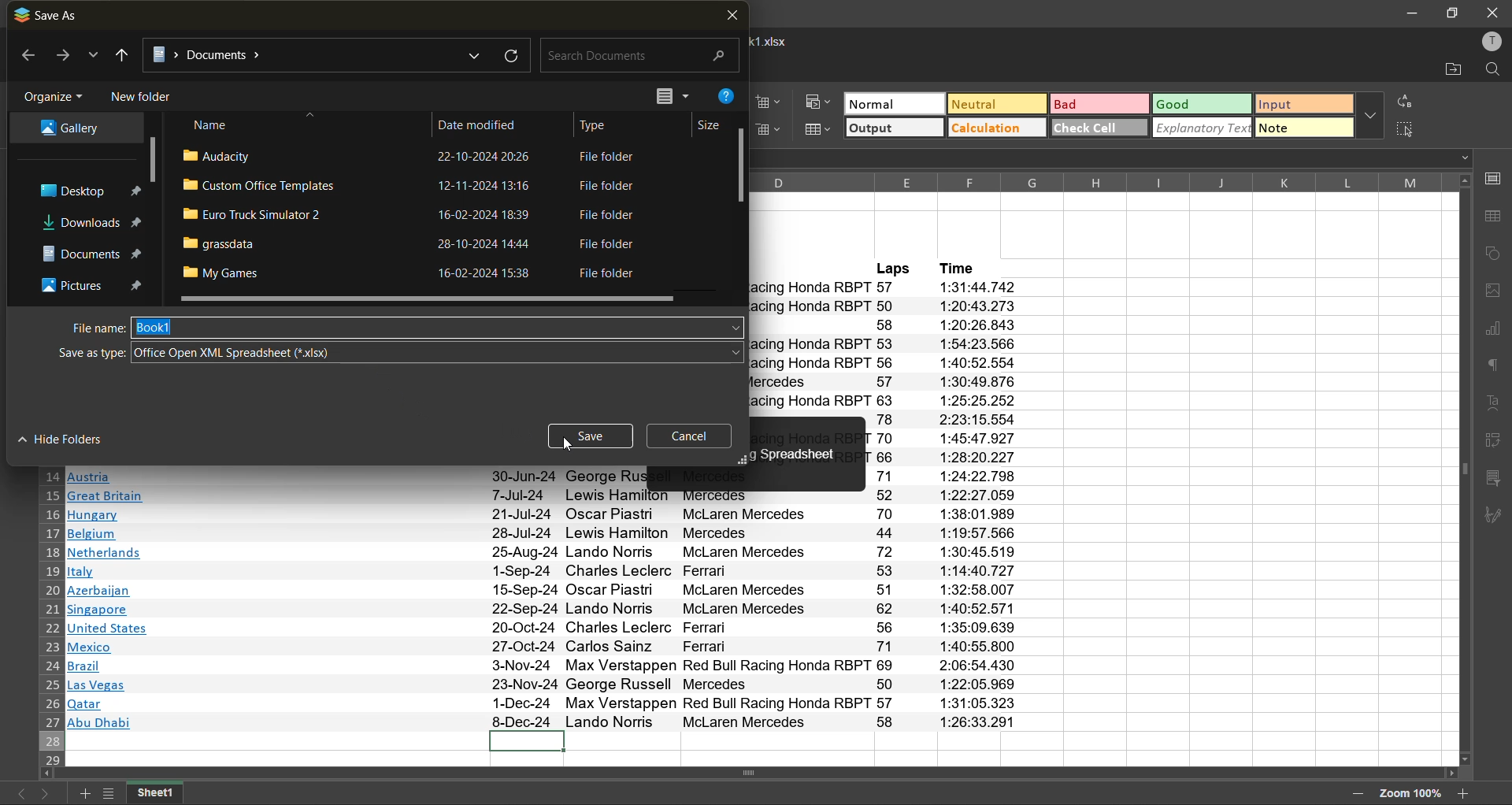 This screenshot has width=1512, height=805. Describe the element at coordinates (1369, 115) in the screenshot. I see `more options` at that location.